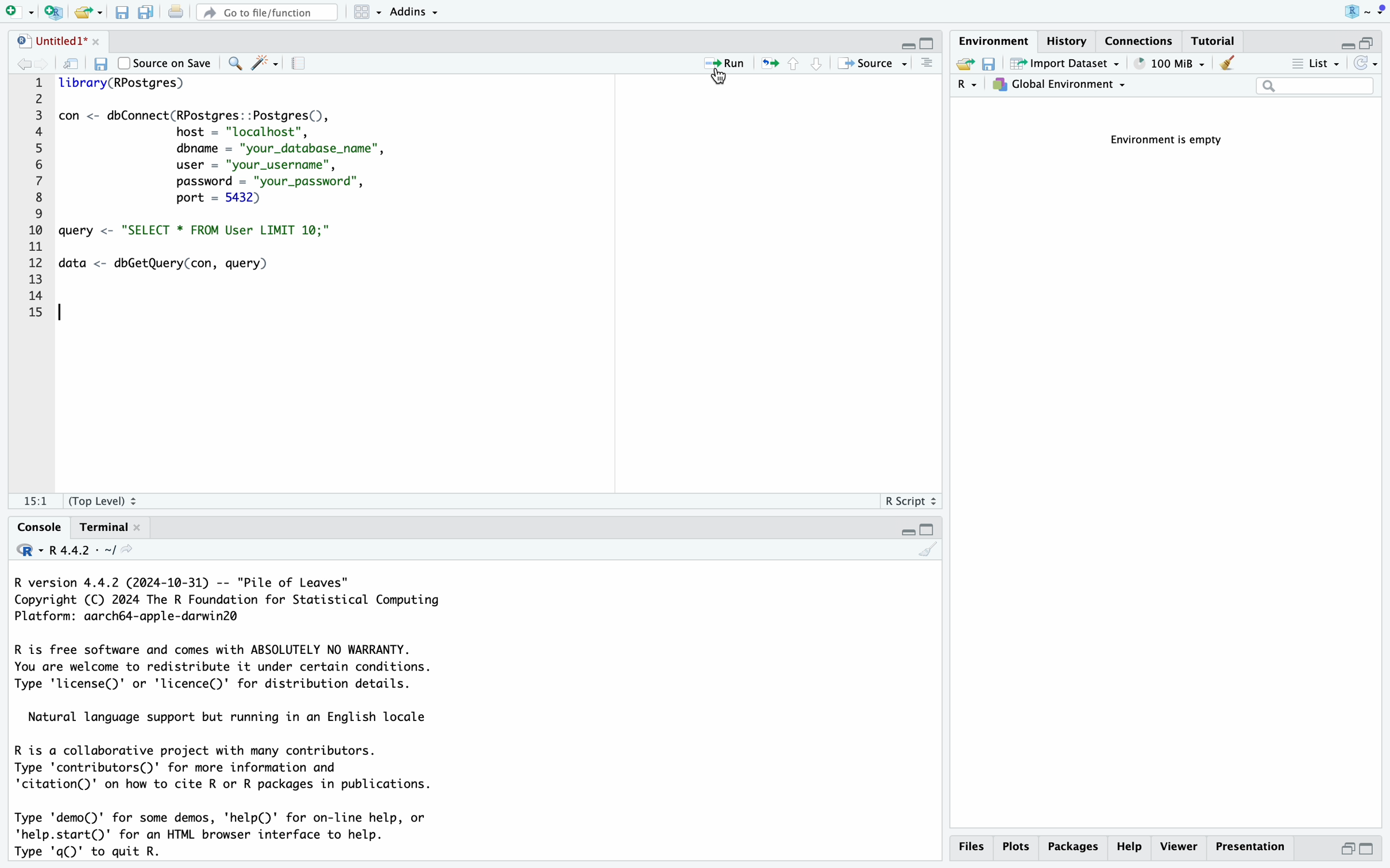 This screenshot has width=1390, height=868. What do you see at coordinates (1129, 848) in the screenshot?
I see `help` at bounding box center [1129, 848].